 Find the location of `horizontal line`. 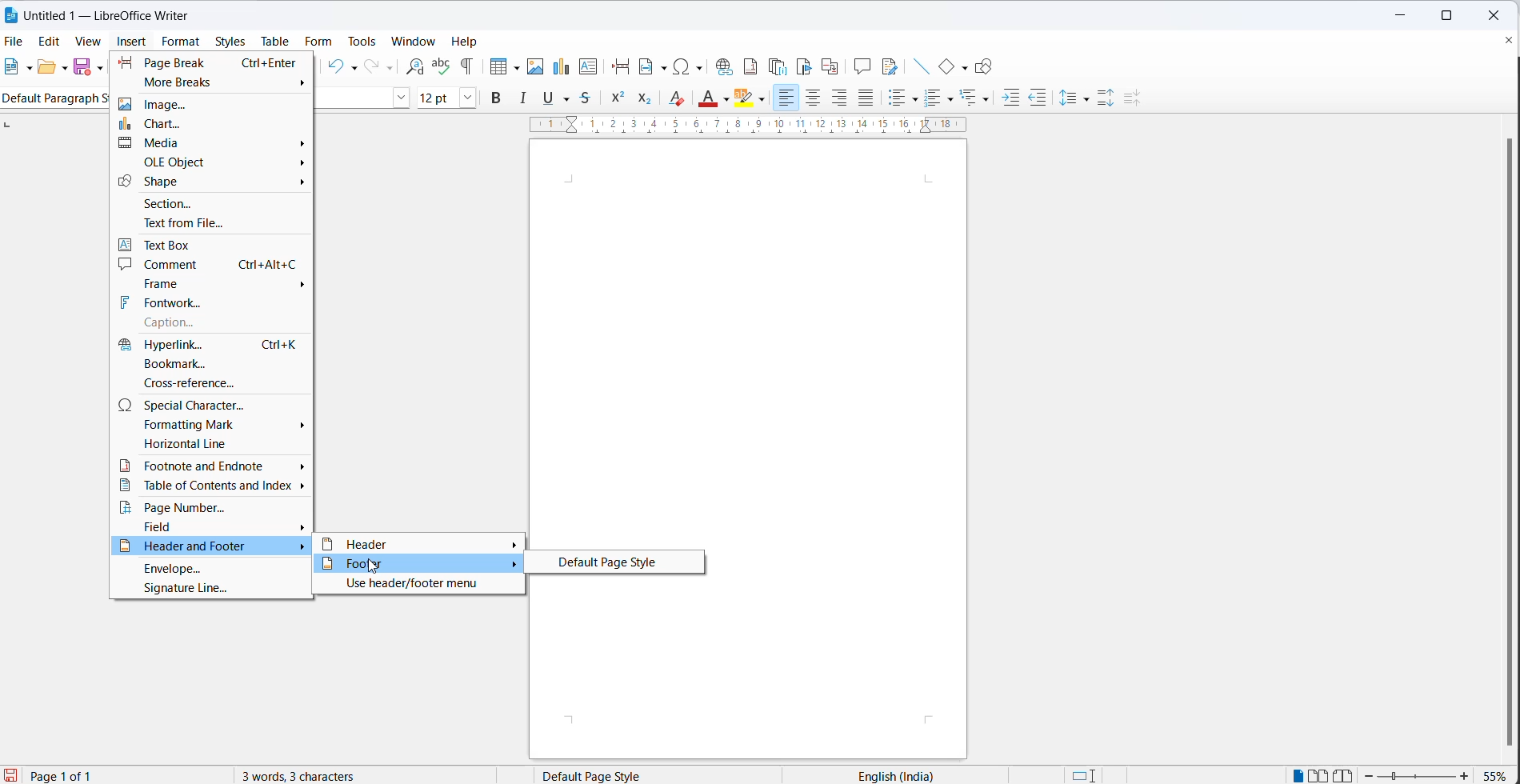

horizontal line is located at coordinates (206, 446).